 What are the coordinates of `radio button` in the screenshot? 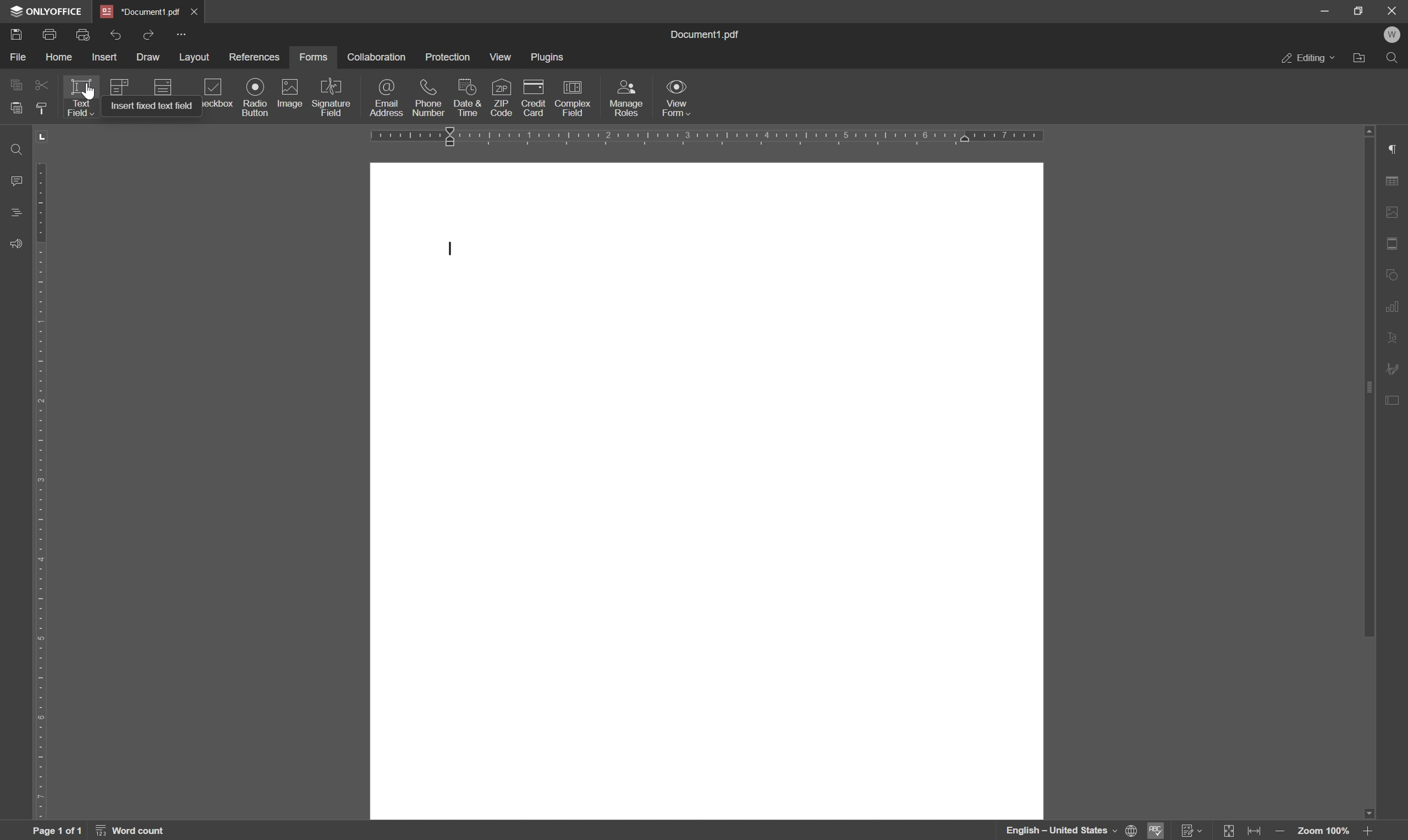 It's located at (253, 97).